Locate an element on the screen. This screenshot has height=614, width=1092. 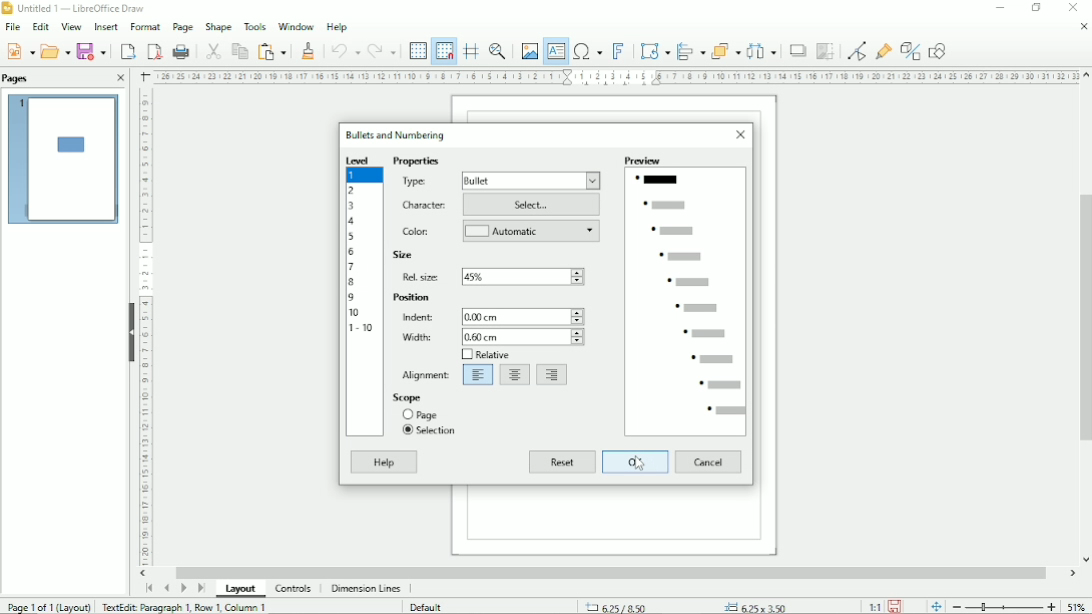
Size is located at coordinates (403, 256).